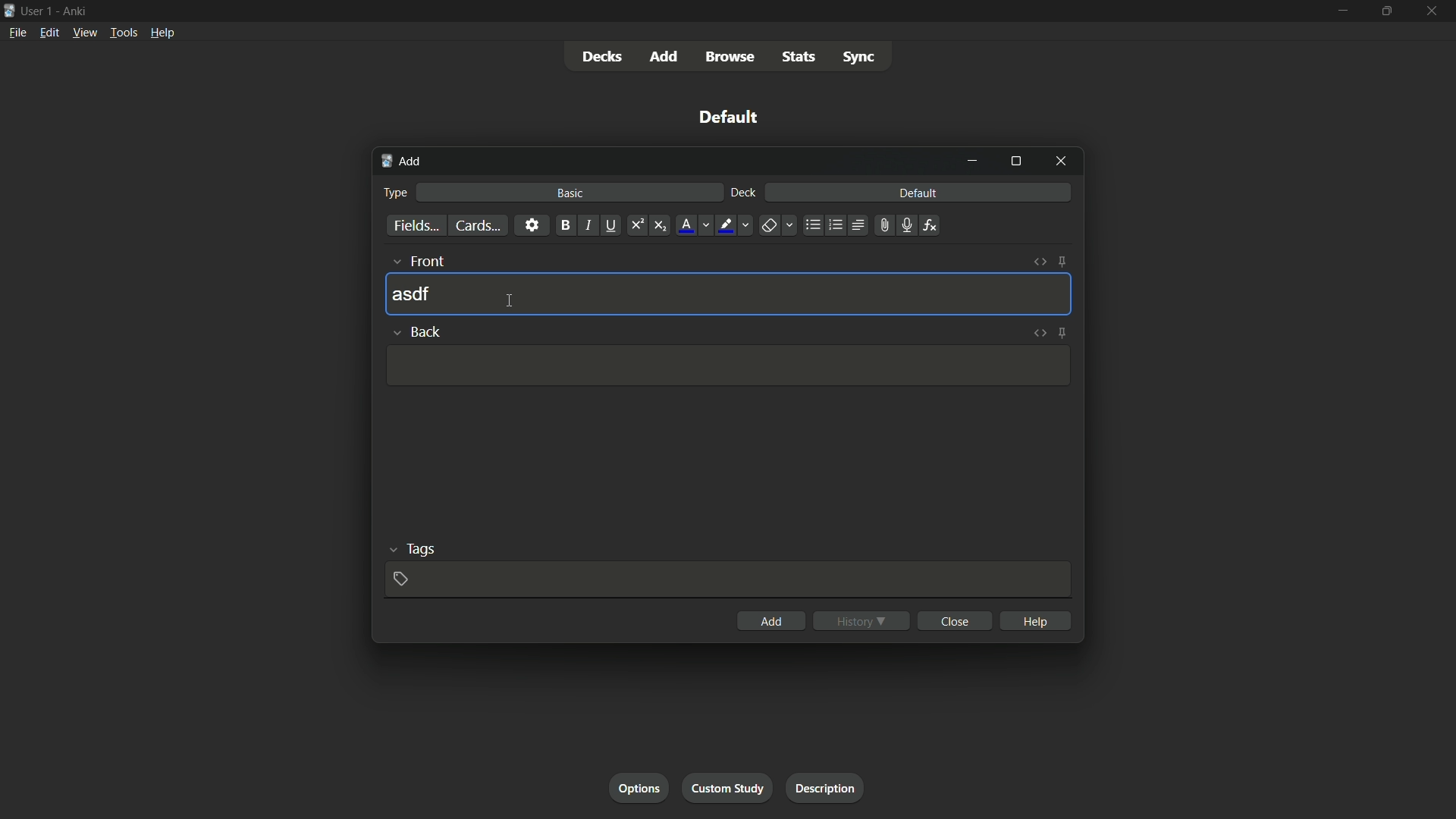 The width and height of the screenshot is (1456, 819). What do you see at coordinates (72, 10) in the screenshot?
I see `Ankri` at bounding box center [72, 10].